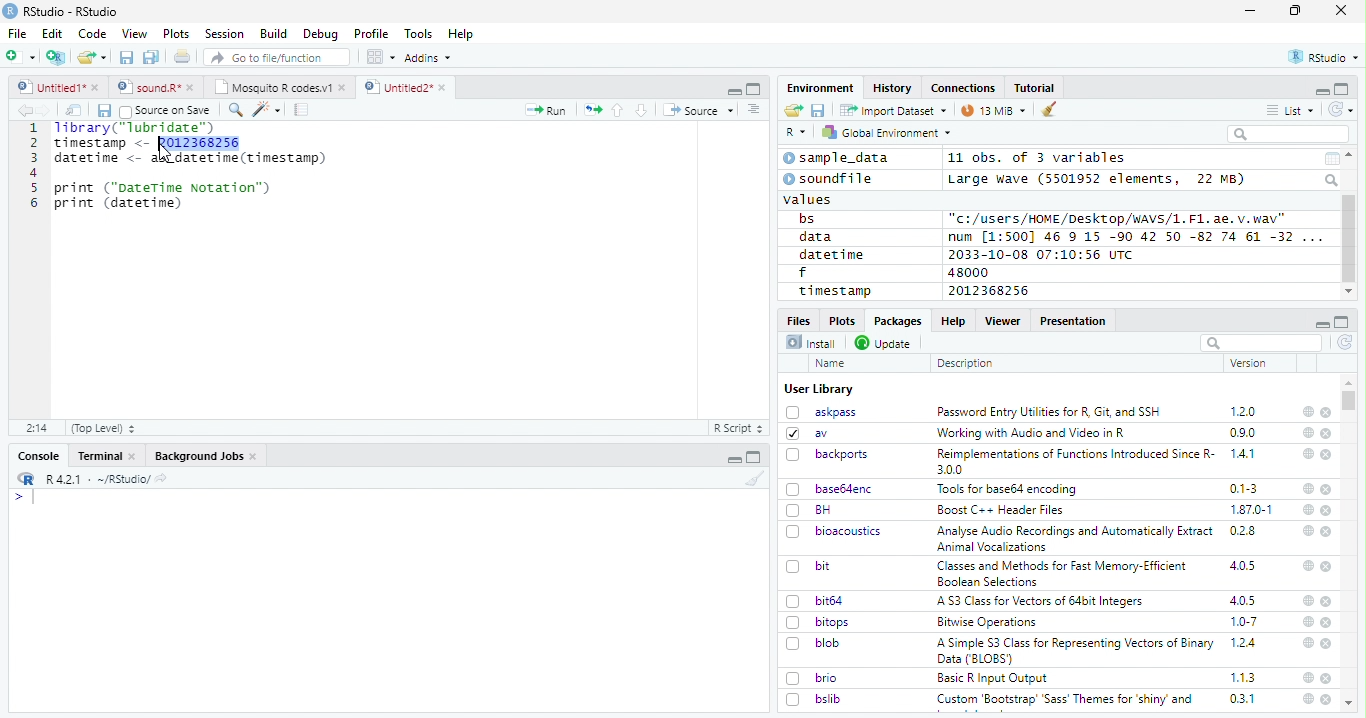 The width and height of the screenshot is (1366, 718). Describe the element at coordinates (830, 455) in the screenshot. I see `backports` at that location.